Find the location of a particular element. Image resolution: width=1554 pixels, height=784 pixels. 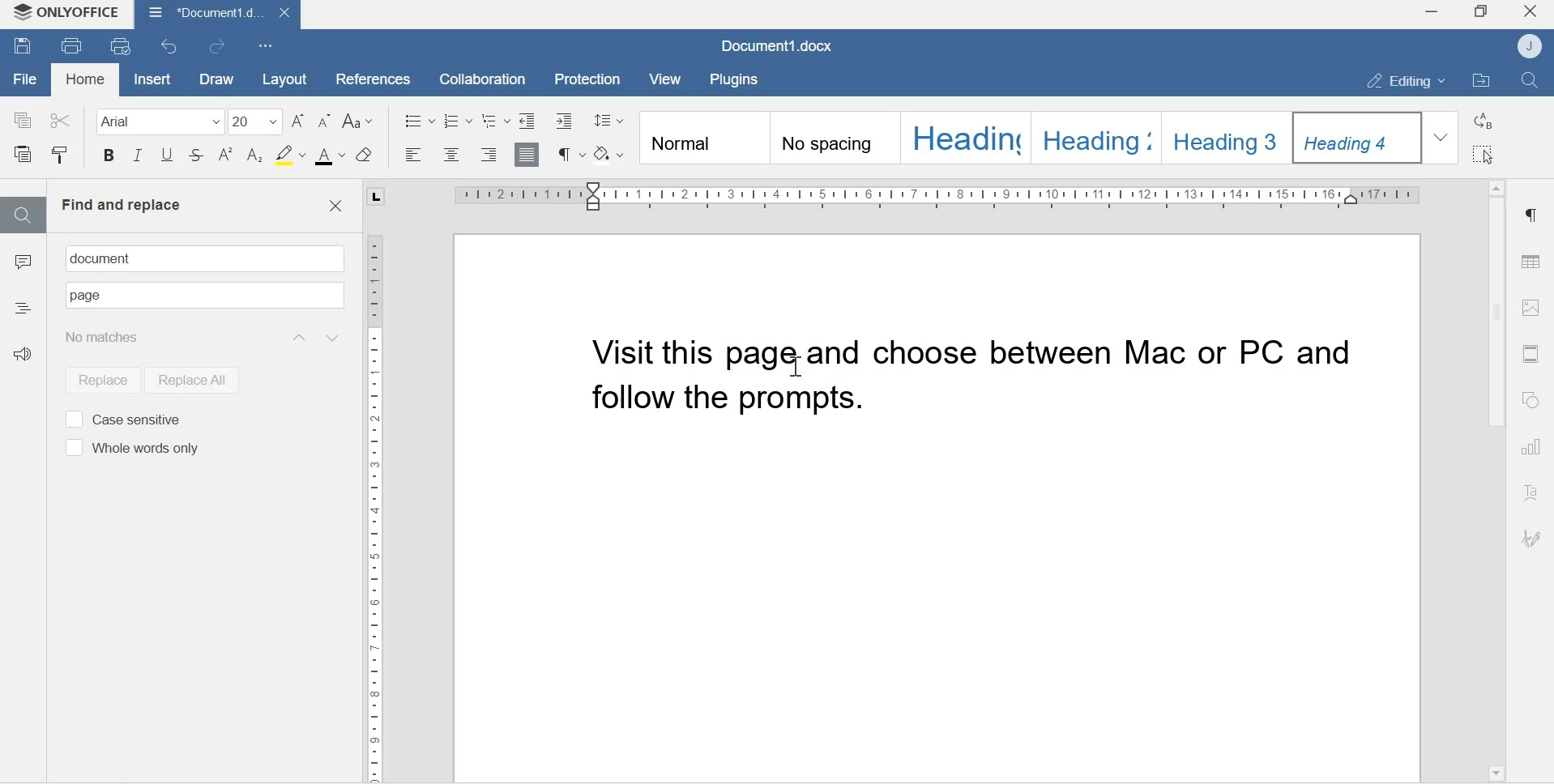

Redo is located at coordinates (221, 47).